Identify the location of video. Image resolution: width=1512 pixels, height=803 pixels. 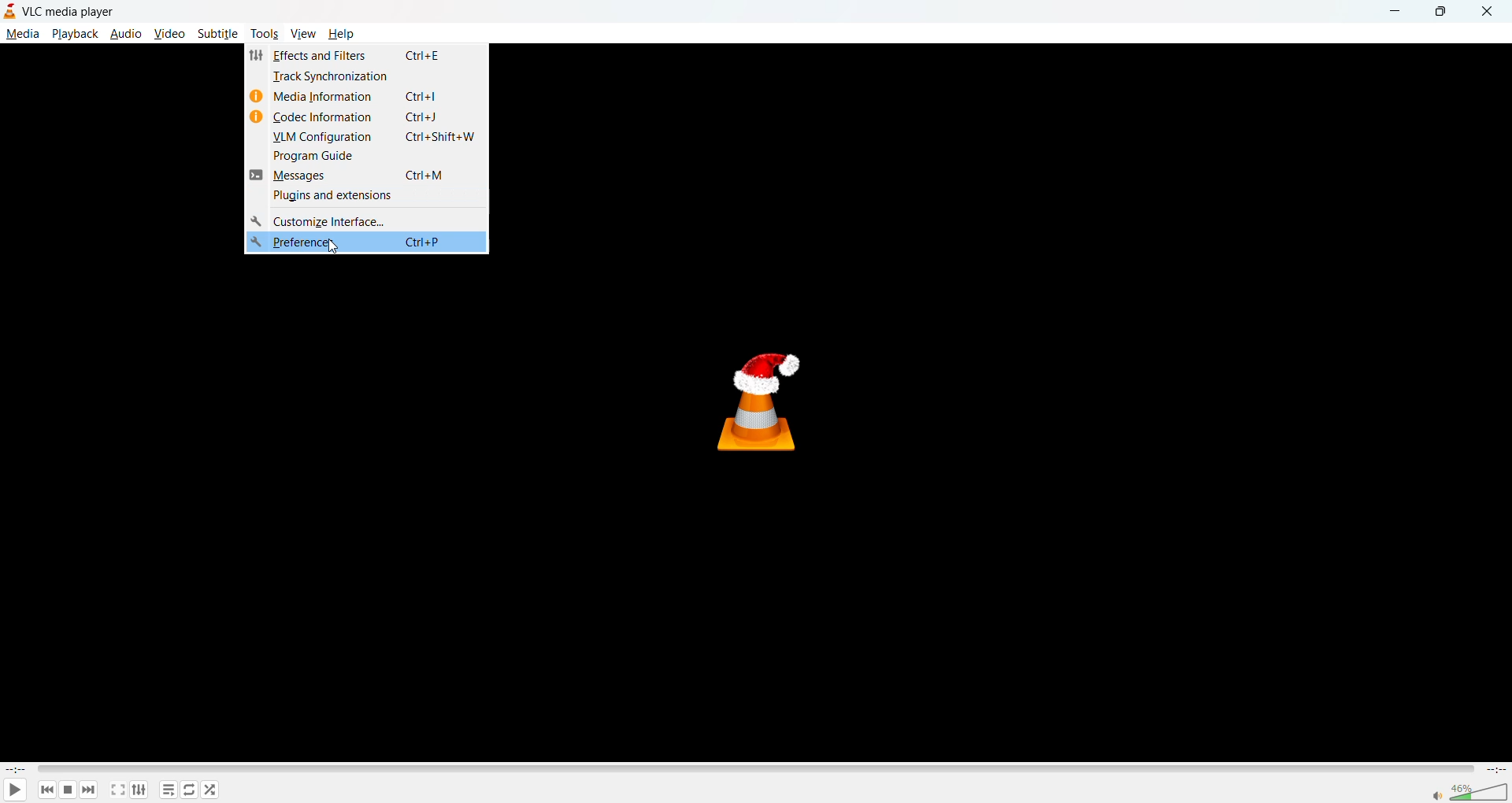
(168, 34).